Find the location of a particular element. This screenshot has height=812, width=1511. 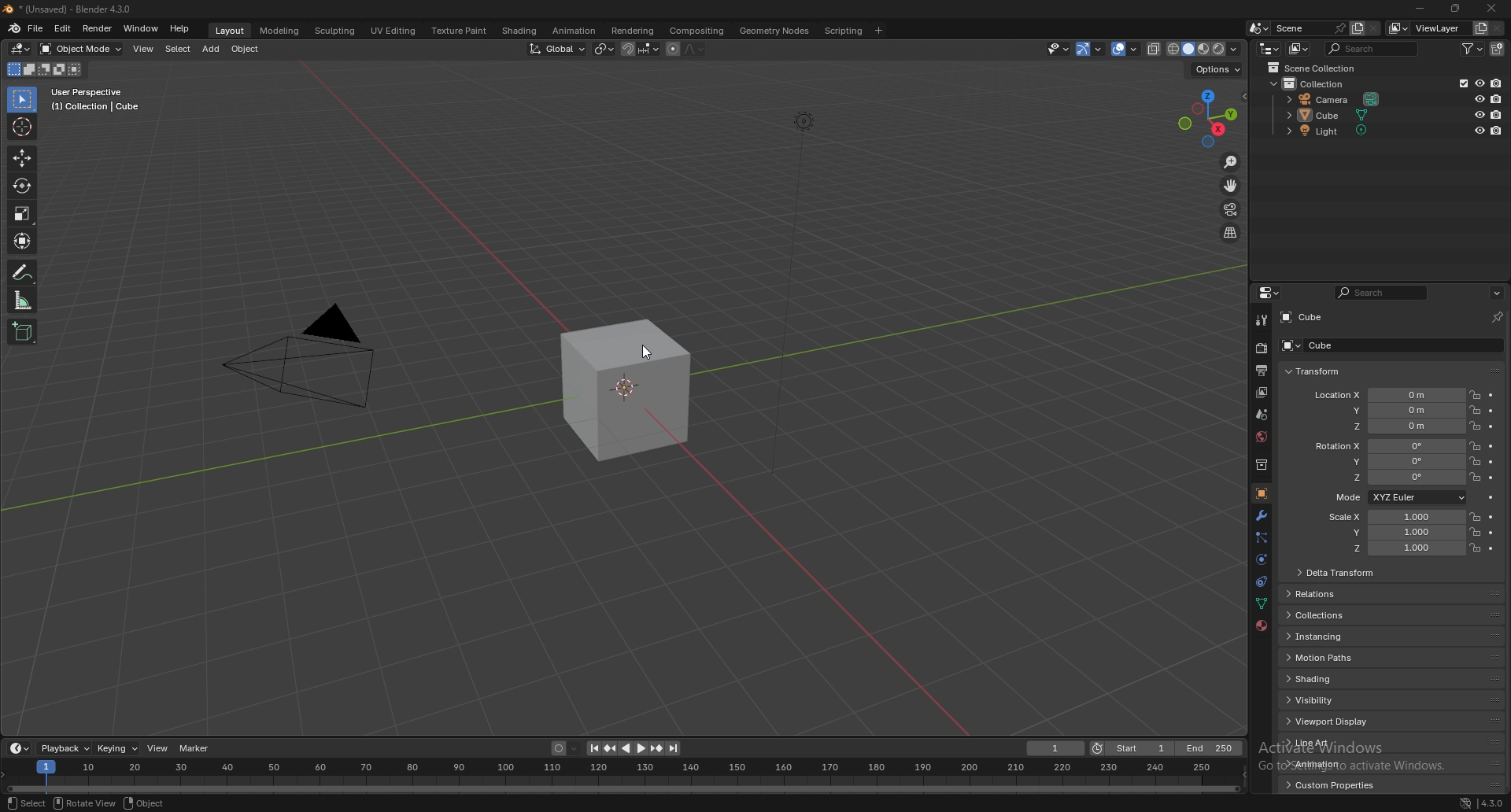

scale y is located at coordinates (1392, 533).